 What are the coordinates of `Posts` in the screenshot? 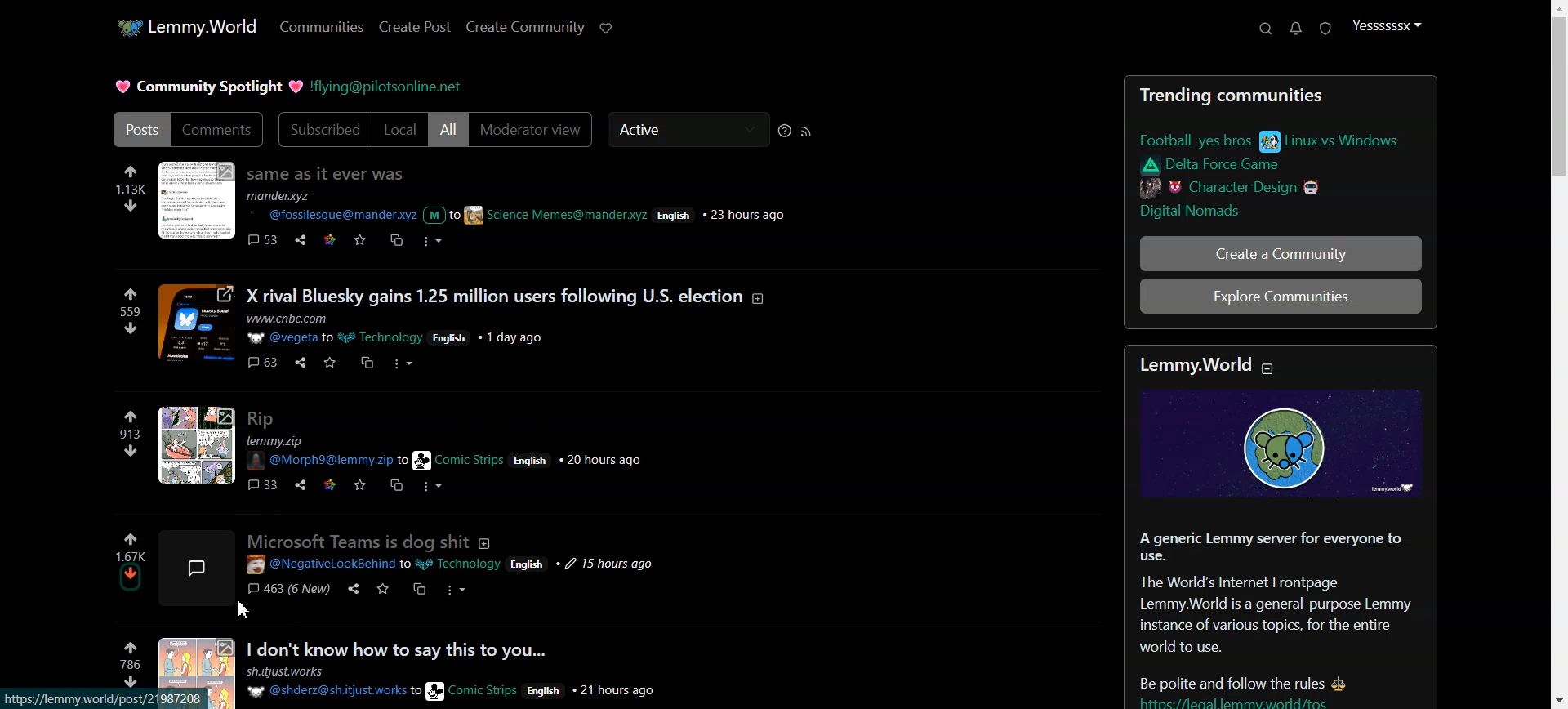 It's located at (460, 329).